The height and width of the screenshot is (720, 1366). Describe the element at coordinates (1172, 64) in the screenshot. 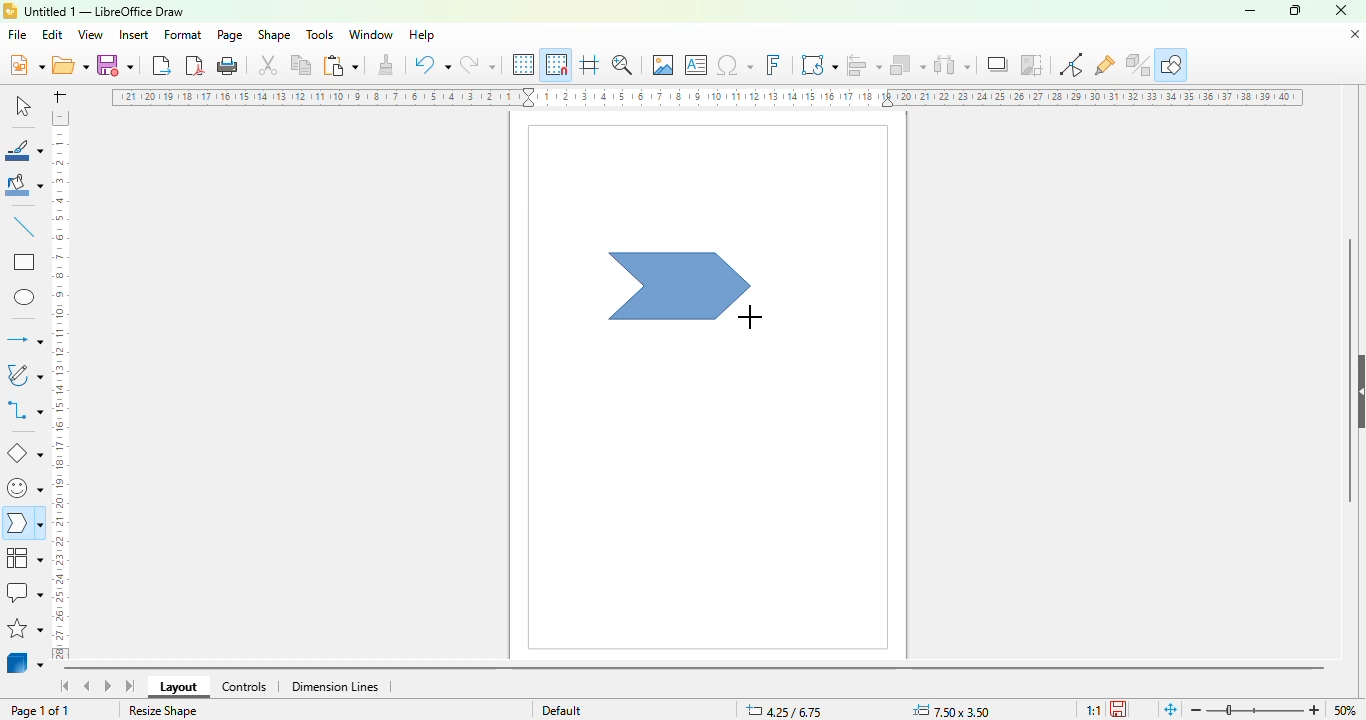

I see `show draw functions` at that location.